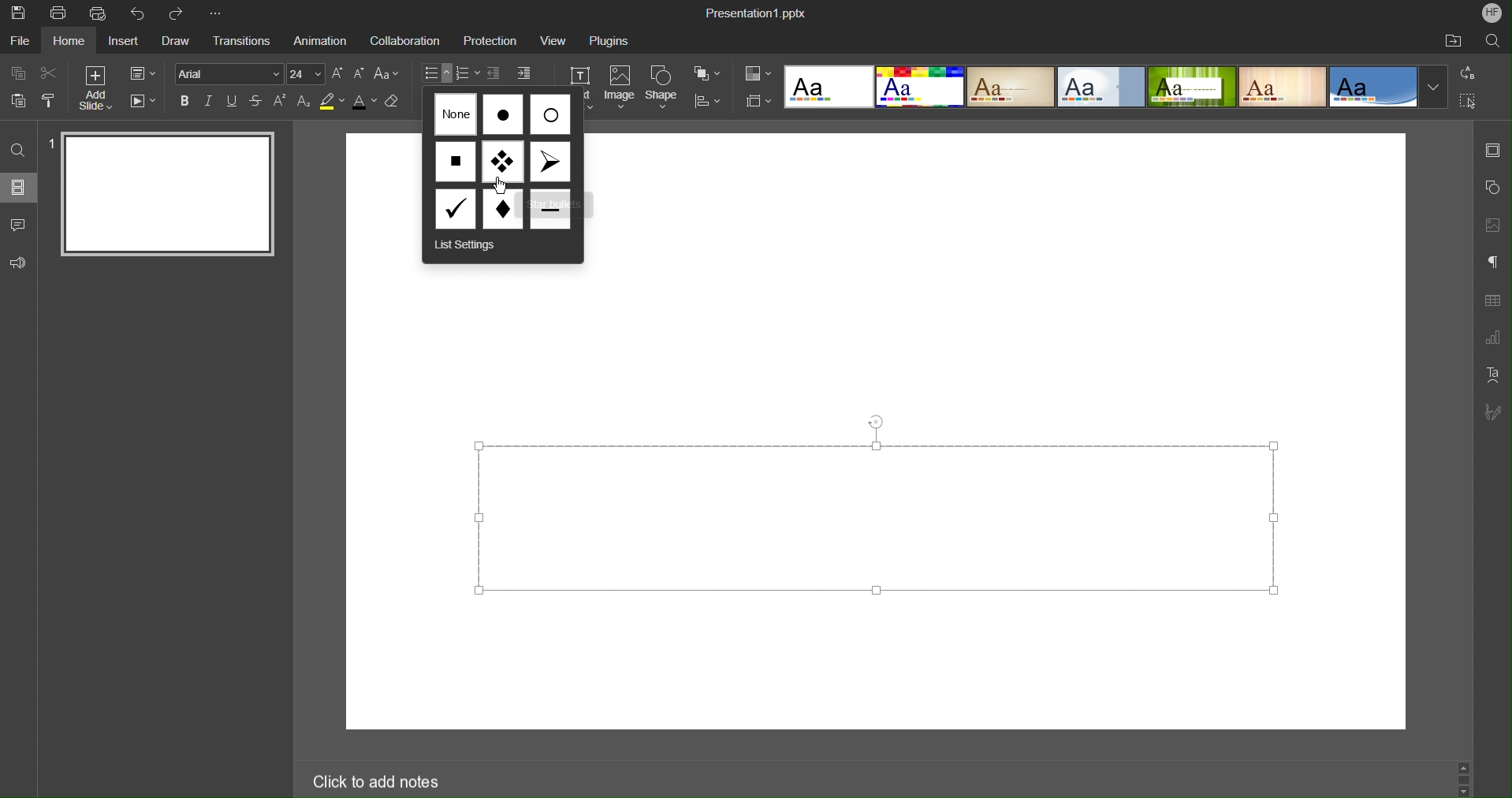 The height and width of the screenshot is (798, 1512). I want to click on Click to add notes, so click(380, 782).